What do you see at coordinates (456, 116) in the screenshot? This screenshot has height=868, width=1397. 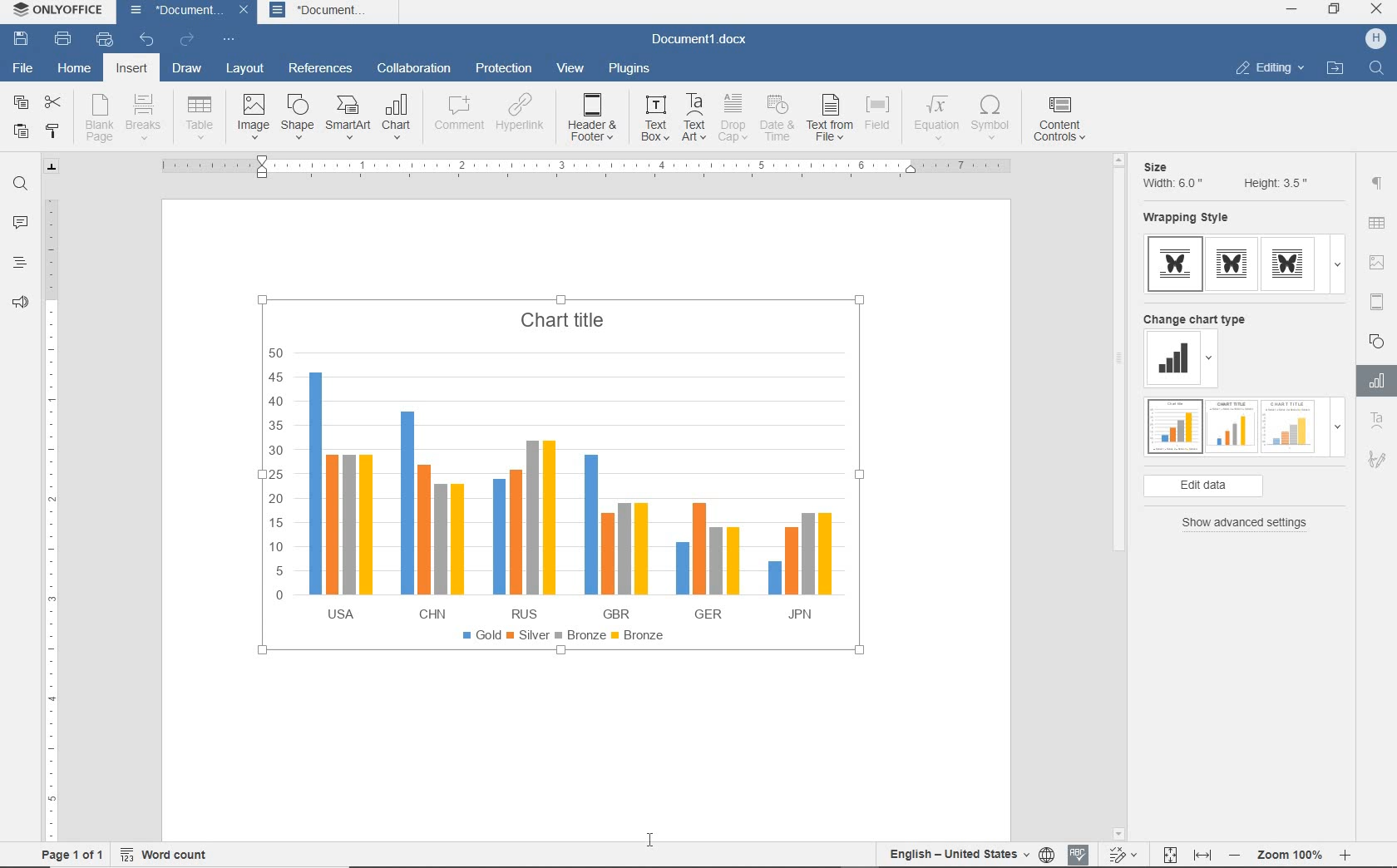 I see `comment` at bounding box center [456, 116].